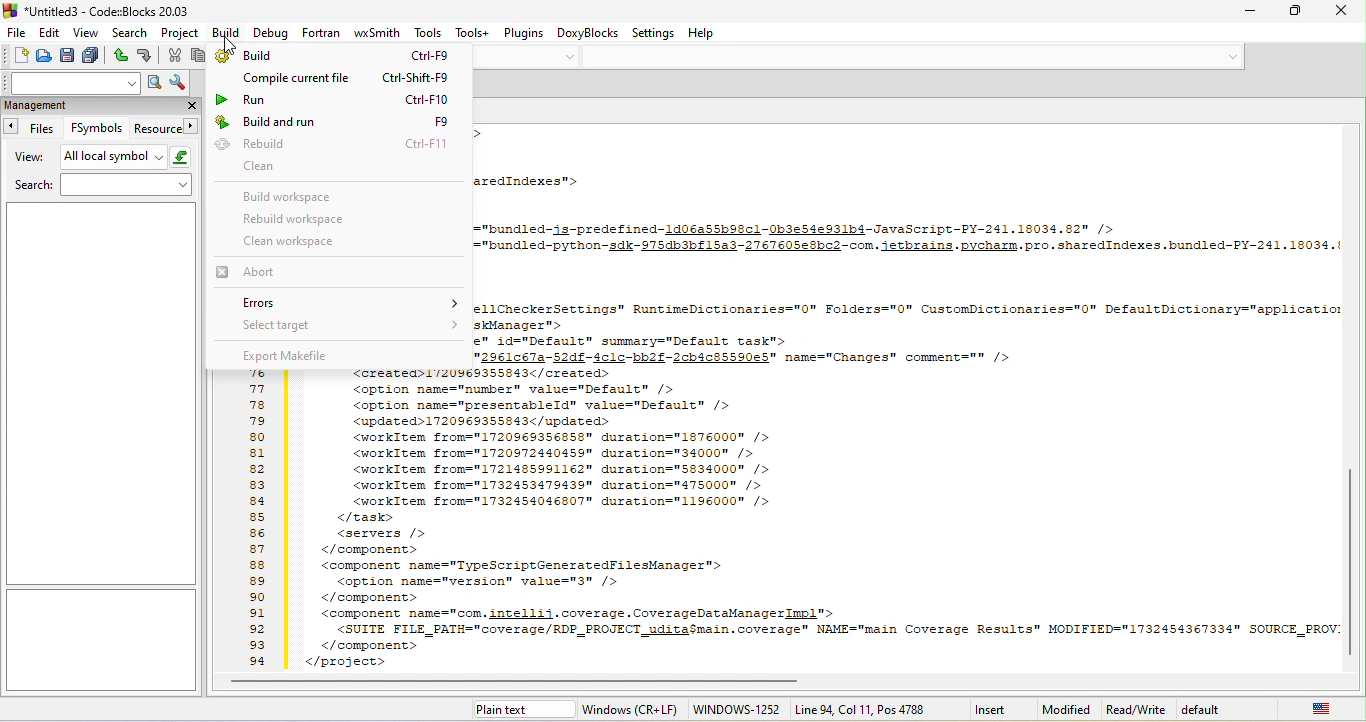 Image resolution: width=1366 pixels, height=722 pixels. Describe the element at coordinates (86, 34) in the screenshot. I see `view` at that location.